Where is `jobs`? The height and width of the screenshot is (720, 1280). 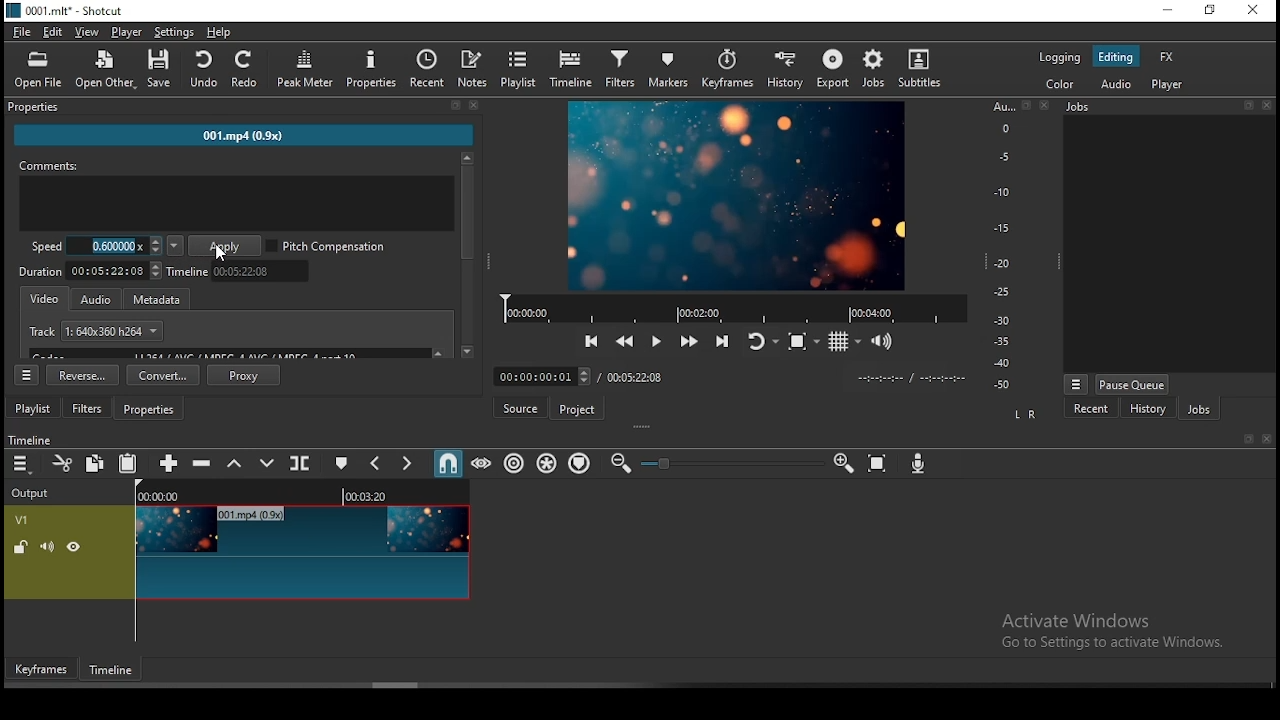 jobs is located at coordinates (1167, 108).